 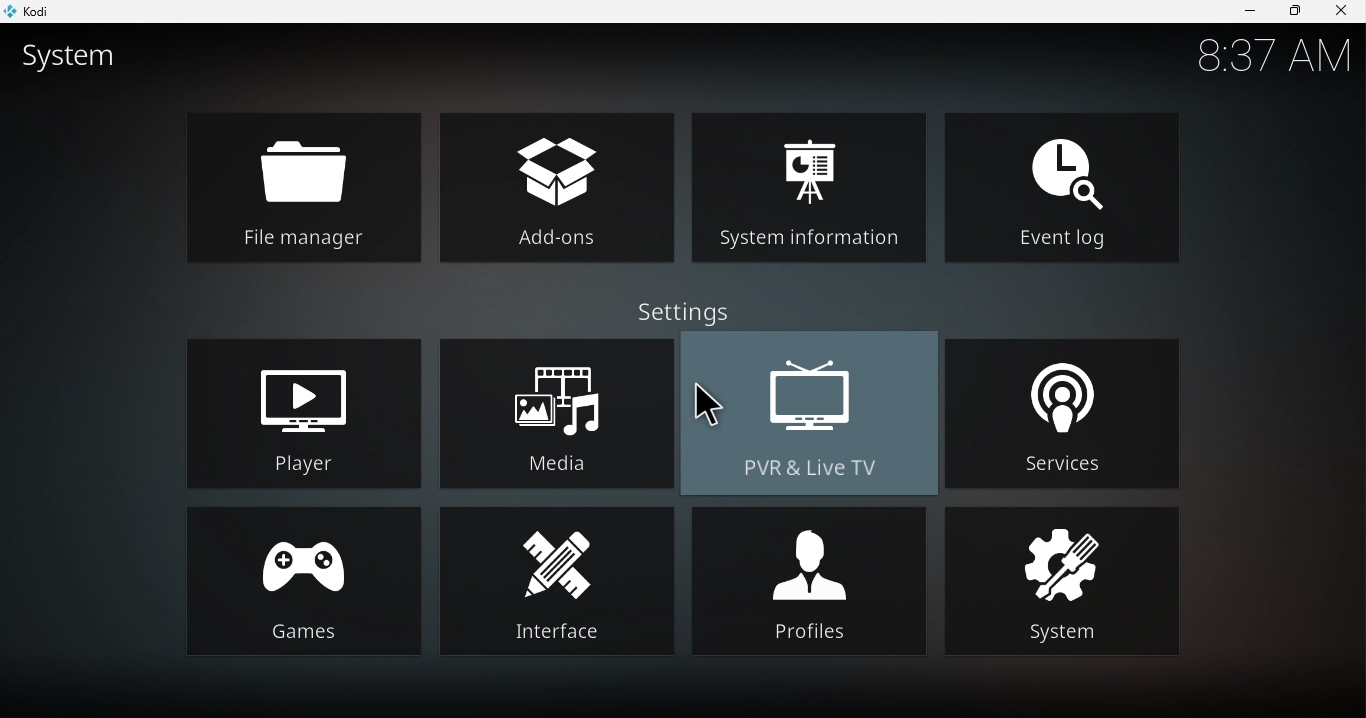 I want to click on Player, so click(x=309, y=409).